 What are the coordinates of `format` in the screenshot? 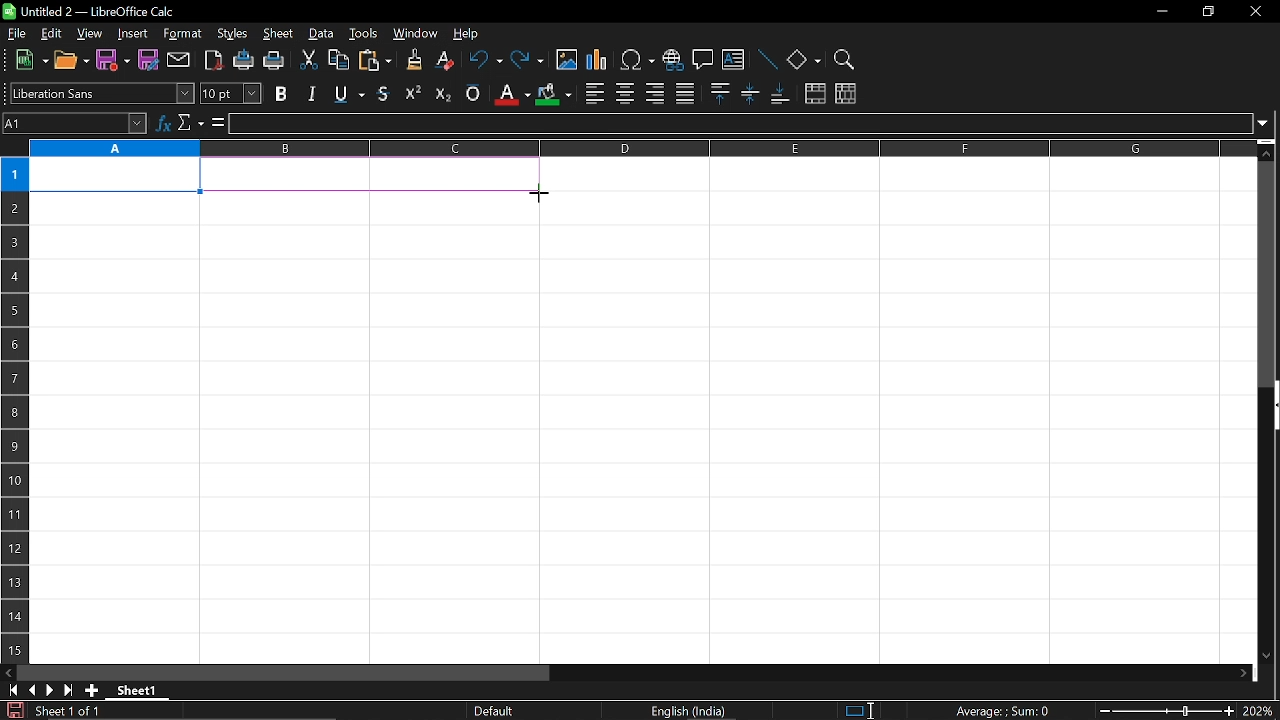 It's located at (183, 34).